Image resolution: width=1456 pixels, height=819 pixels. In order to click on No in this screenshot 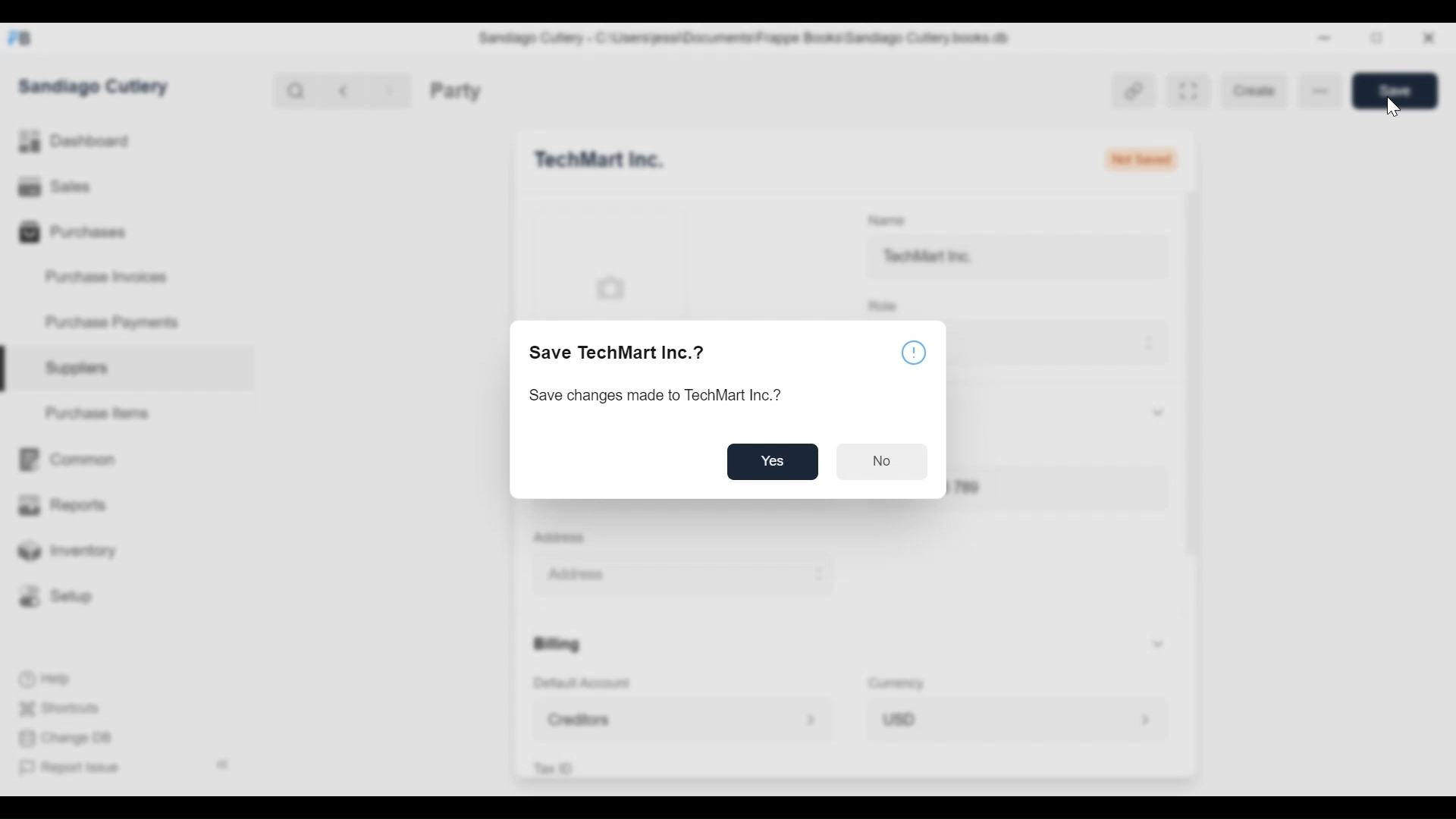, I will do `click(883, 463)`.